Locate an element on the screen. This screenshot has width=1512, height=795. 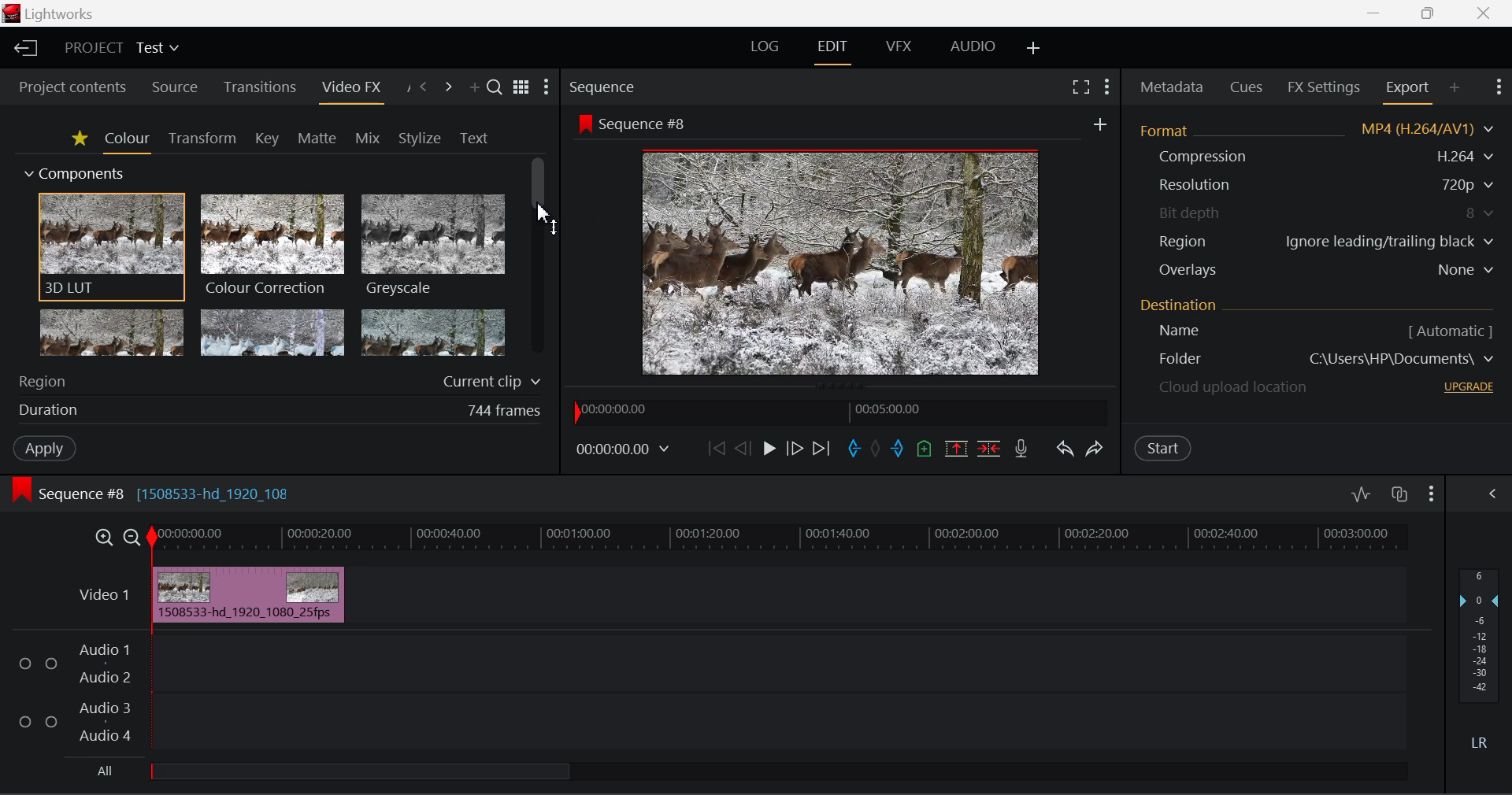
Mosaic is located at coordinates (271, 335).